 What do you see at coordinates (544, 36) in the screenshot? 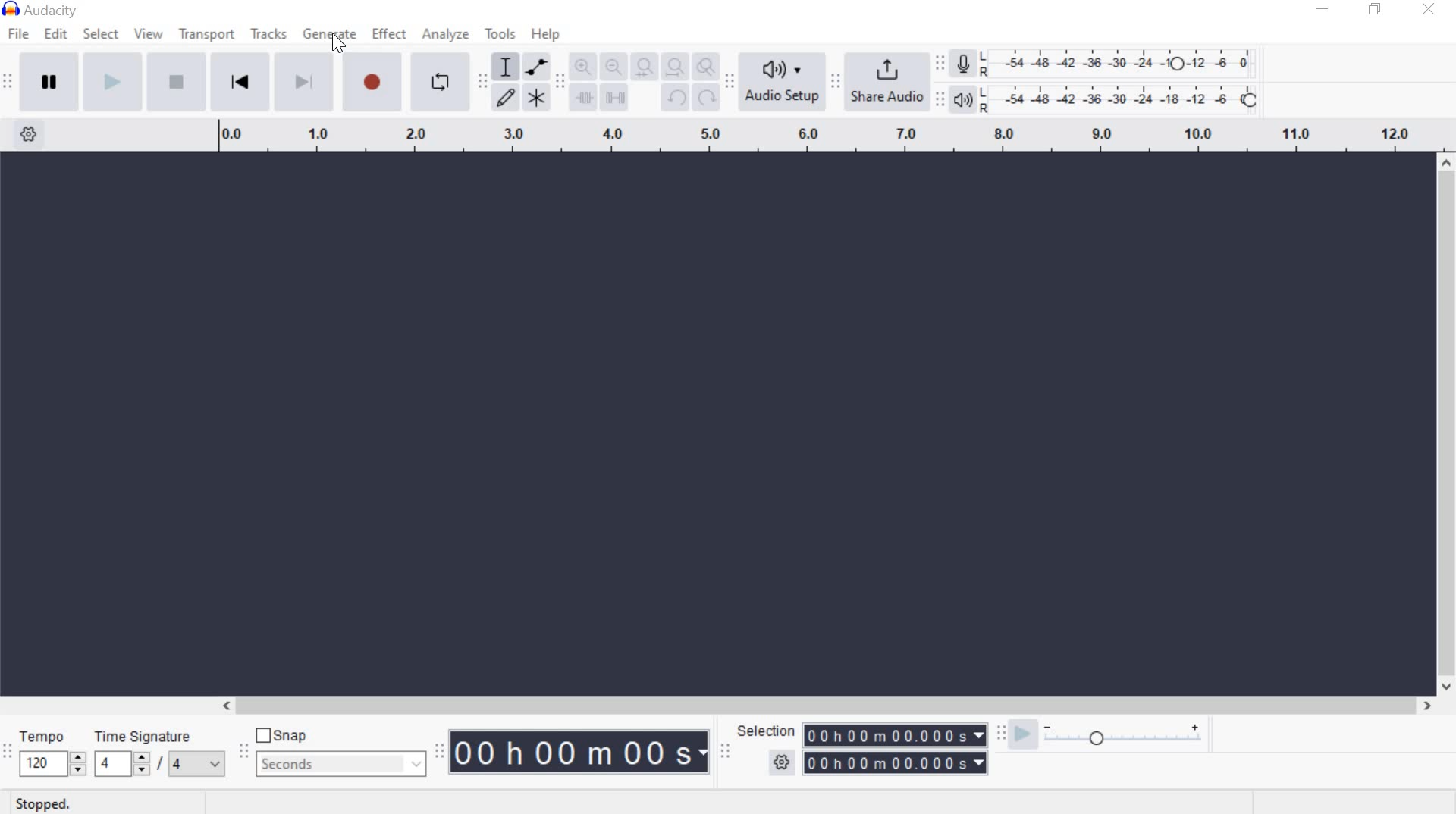
I see `help` at bounding box center [544, 36].